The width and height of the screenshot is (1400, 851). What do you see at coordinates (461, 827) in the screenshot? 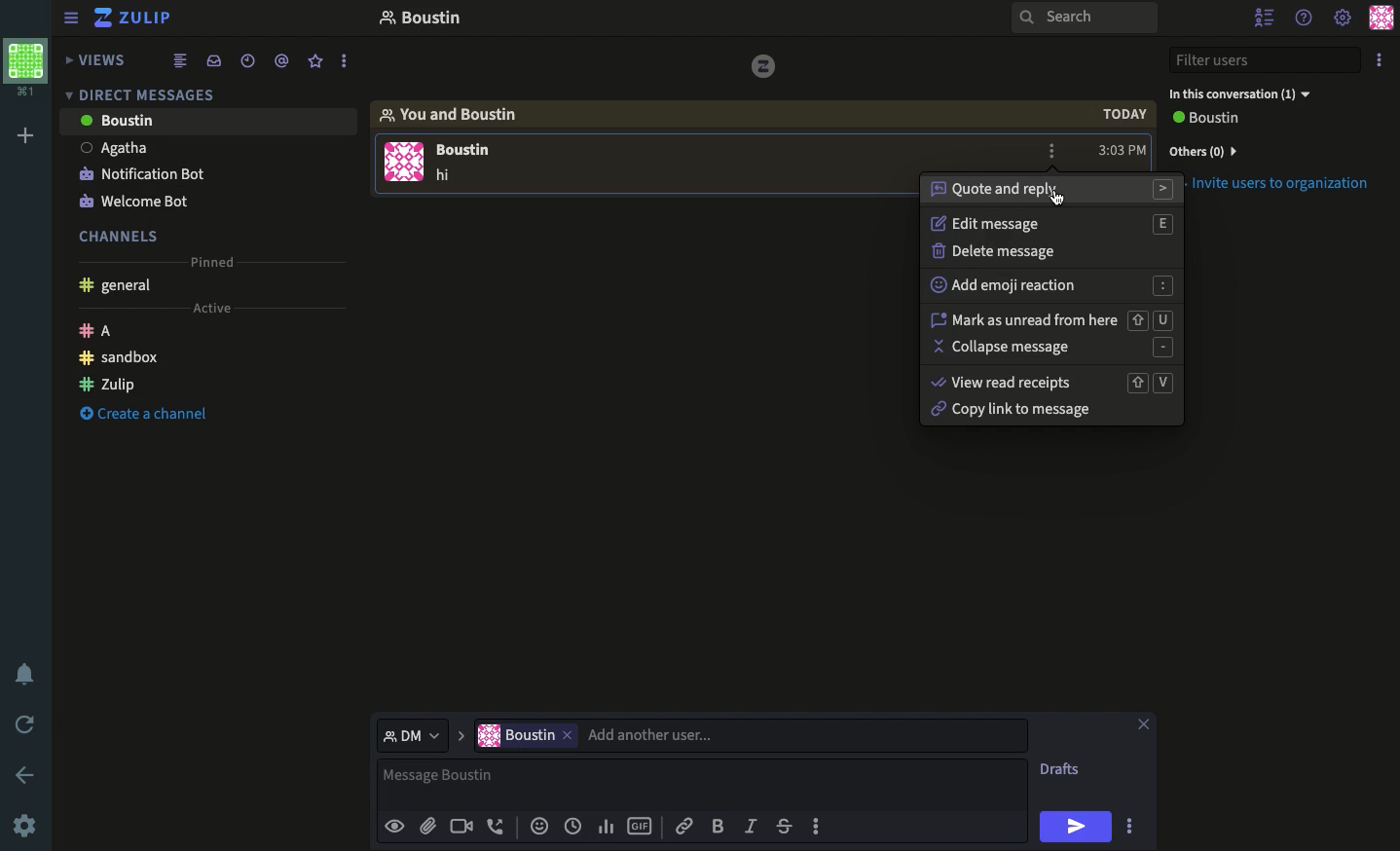
I see `Video` at bounding box center [461, 827].